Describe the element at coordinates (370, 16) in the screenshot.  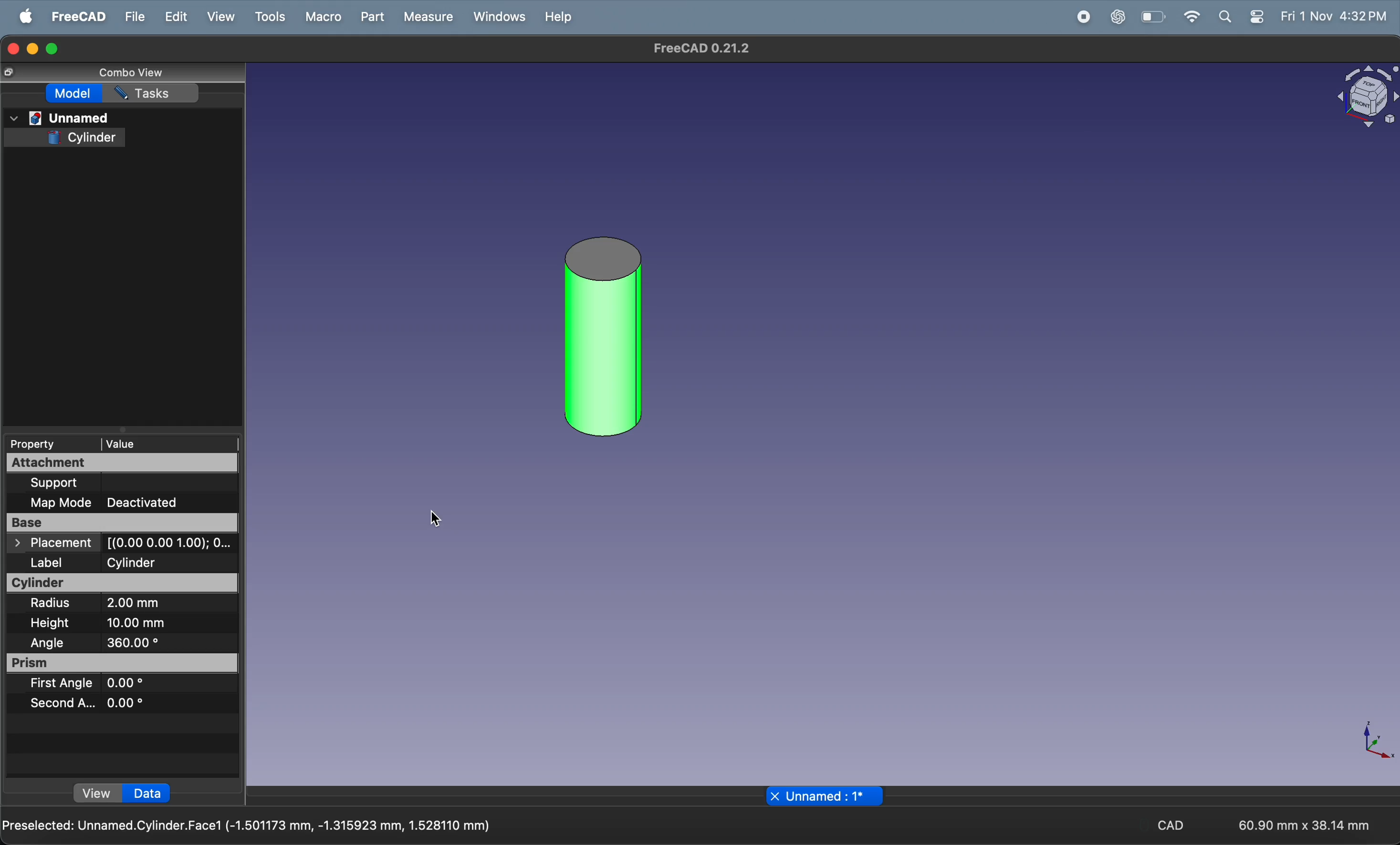
I see `part` at that location.